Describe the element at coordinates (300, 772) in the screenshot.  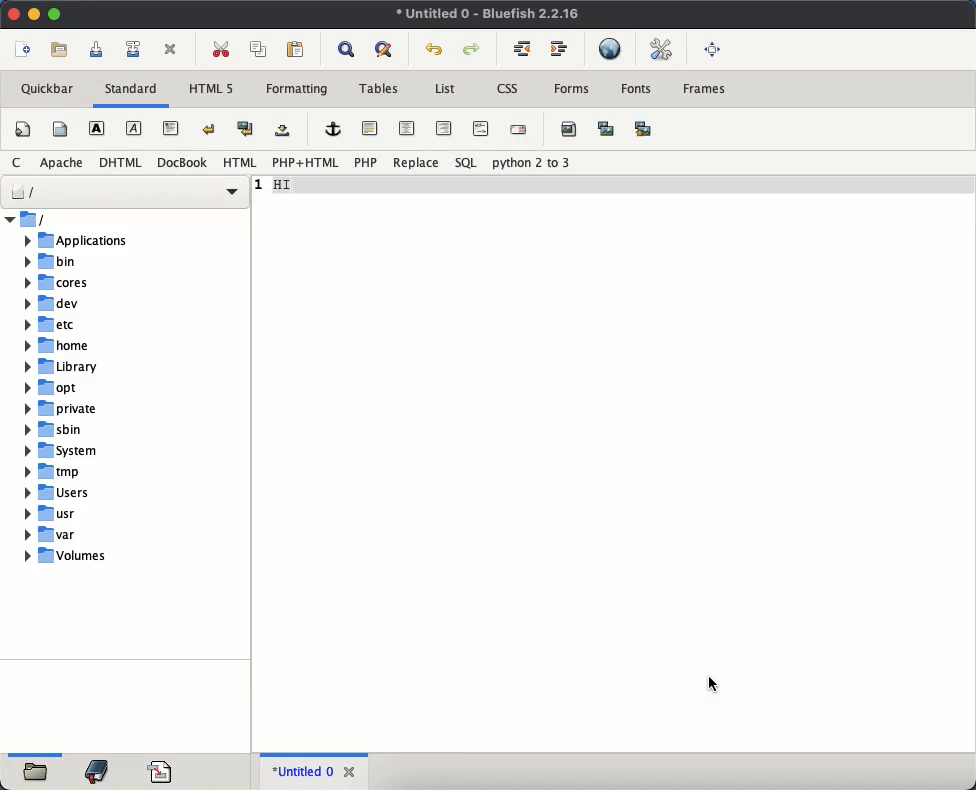
I see `untitled 0` at that location.